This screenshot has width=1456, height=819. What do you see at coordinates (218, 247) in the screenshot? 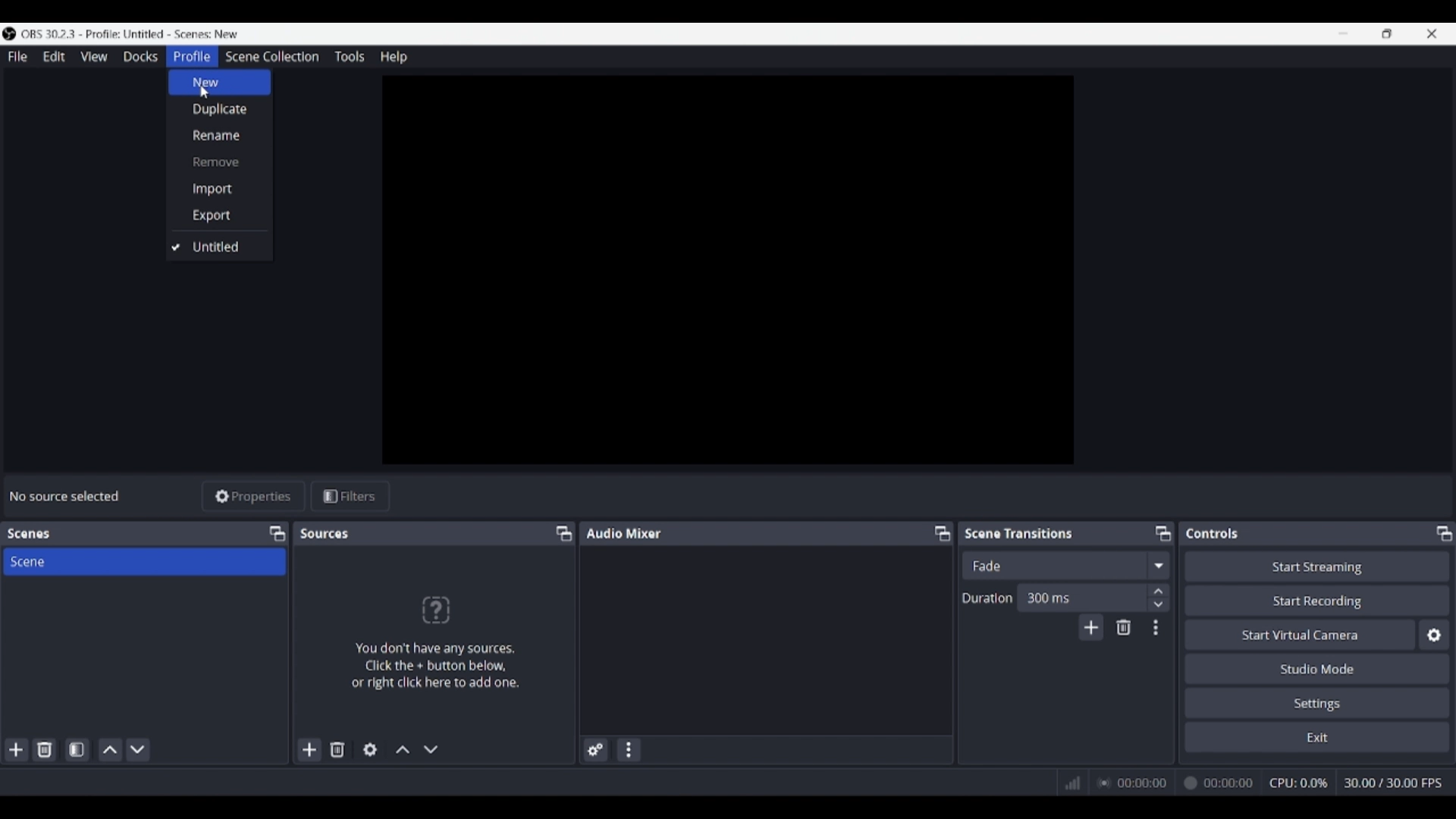
I see `Untitled, current profile` at bounding box center [218, 247].